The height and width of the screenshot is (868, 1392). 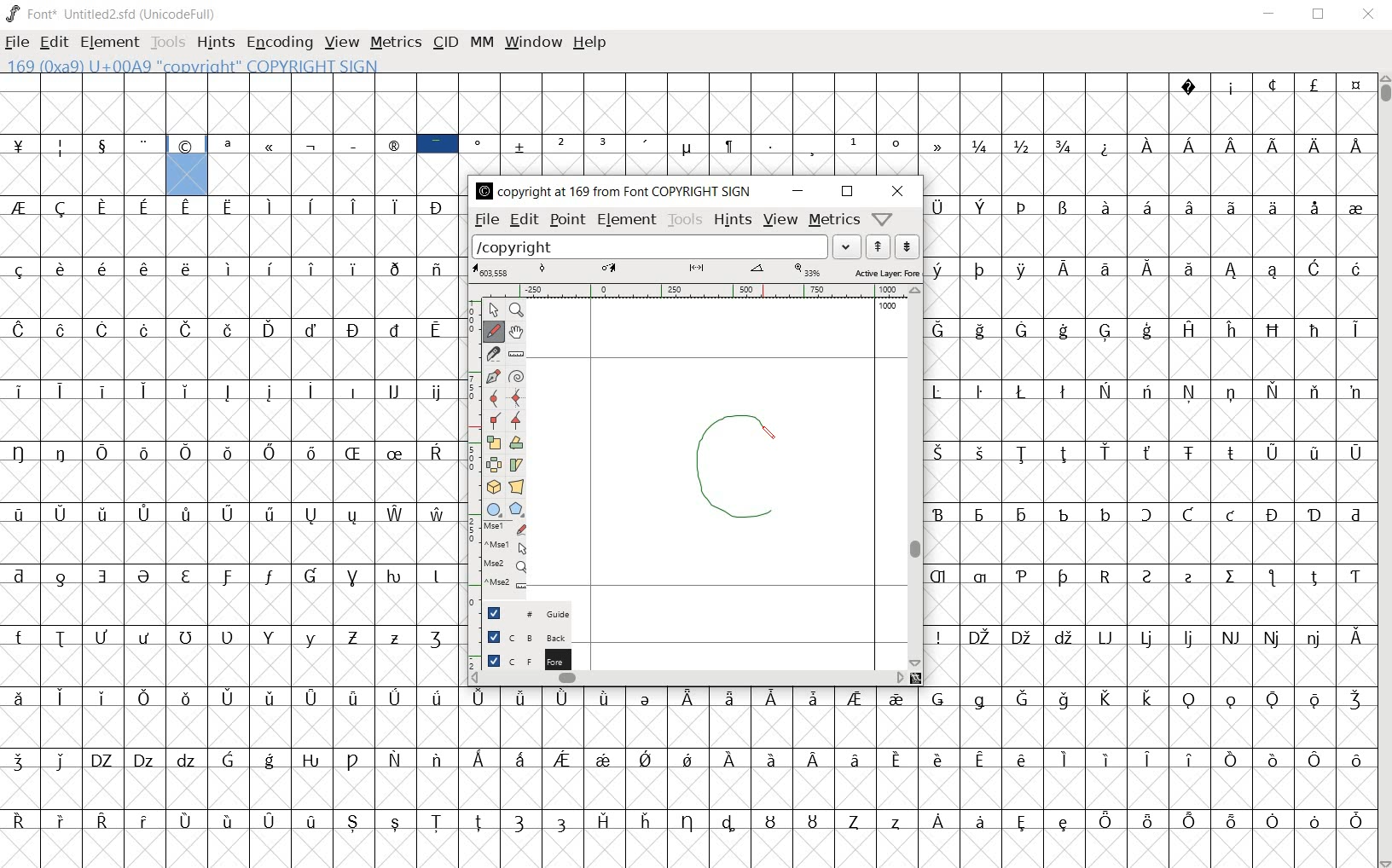 I want to click on edit, so click(x=52, y=40).